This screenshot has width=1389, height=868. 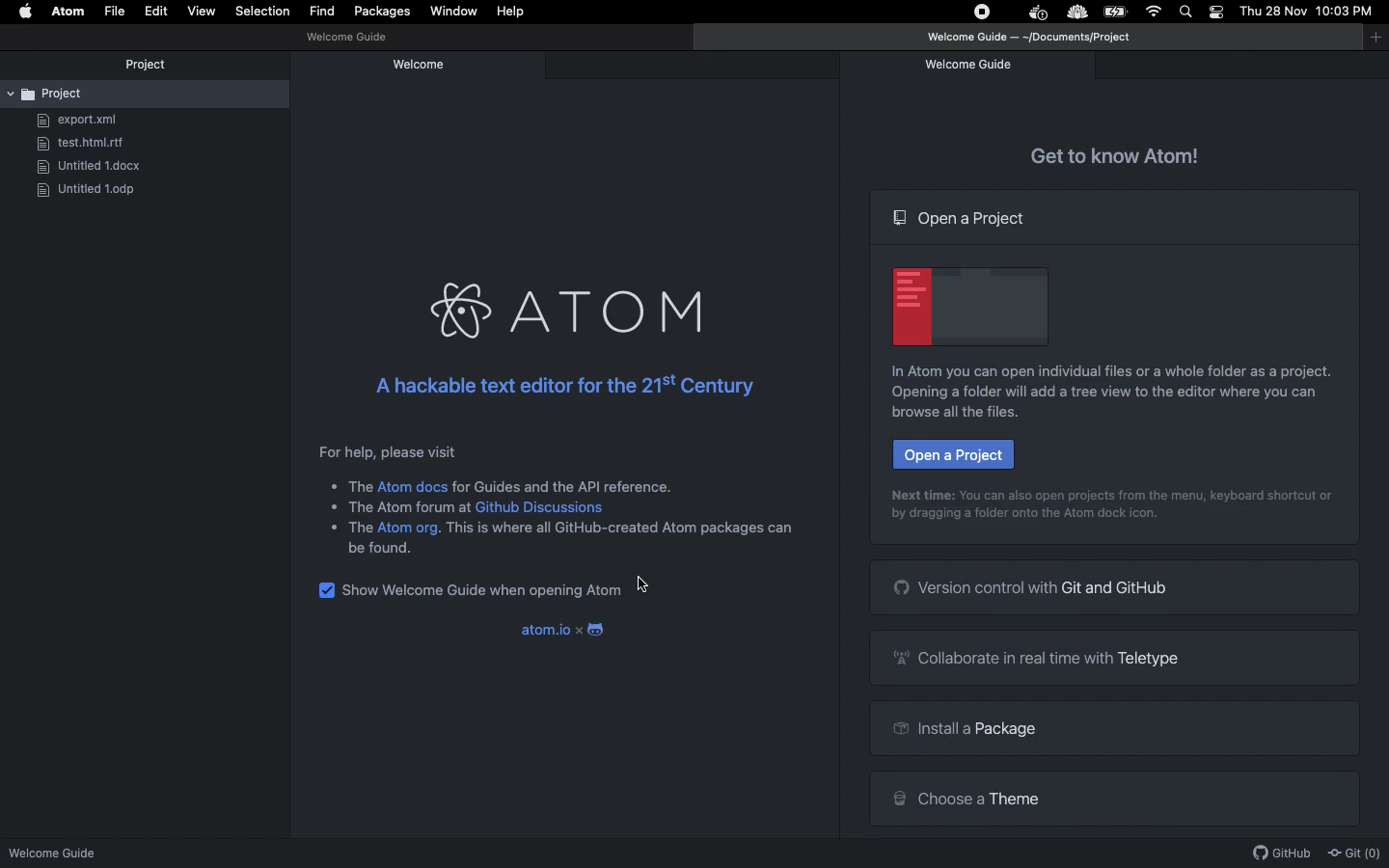 What do you see at coordinates (392, 448) in the screenshot?
I see `Descriptive text` at bounding box center [392, 448].